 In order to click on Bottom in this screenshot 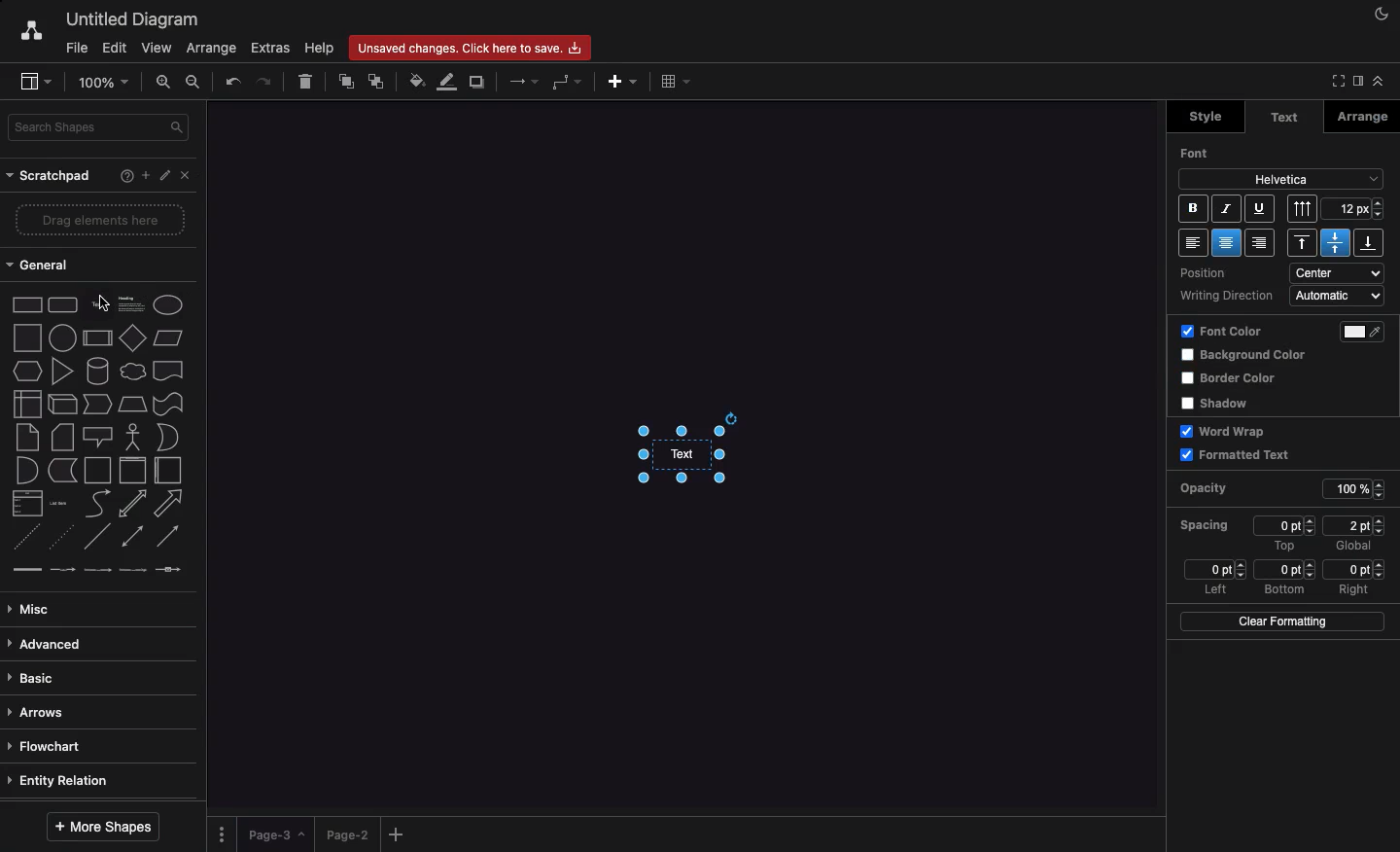, I will do `click(1368, 242)`.